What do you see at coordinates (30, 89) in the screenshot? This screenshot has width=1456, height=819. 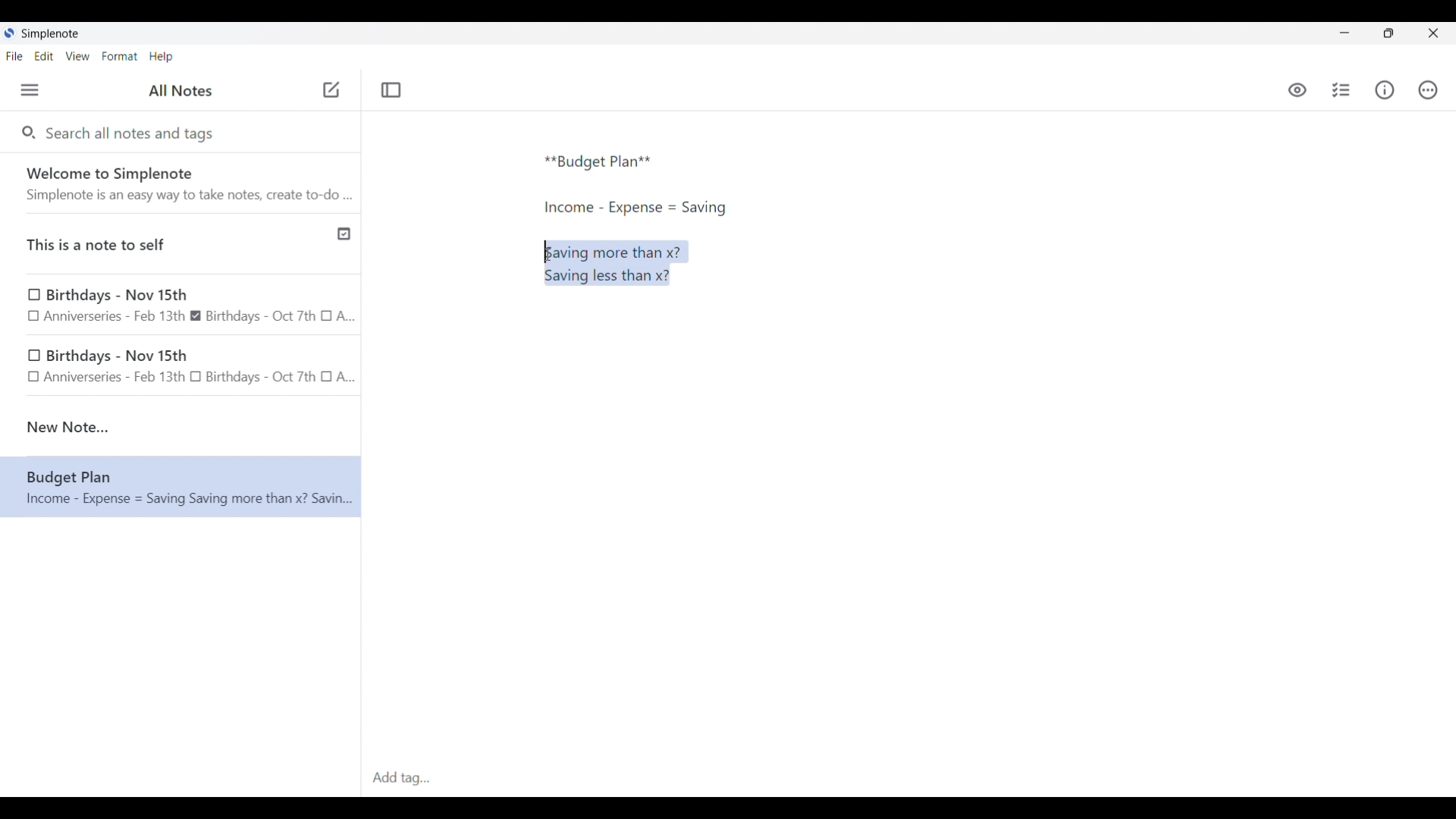 I see `Menu` at bounding box center [30, 89].